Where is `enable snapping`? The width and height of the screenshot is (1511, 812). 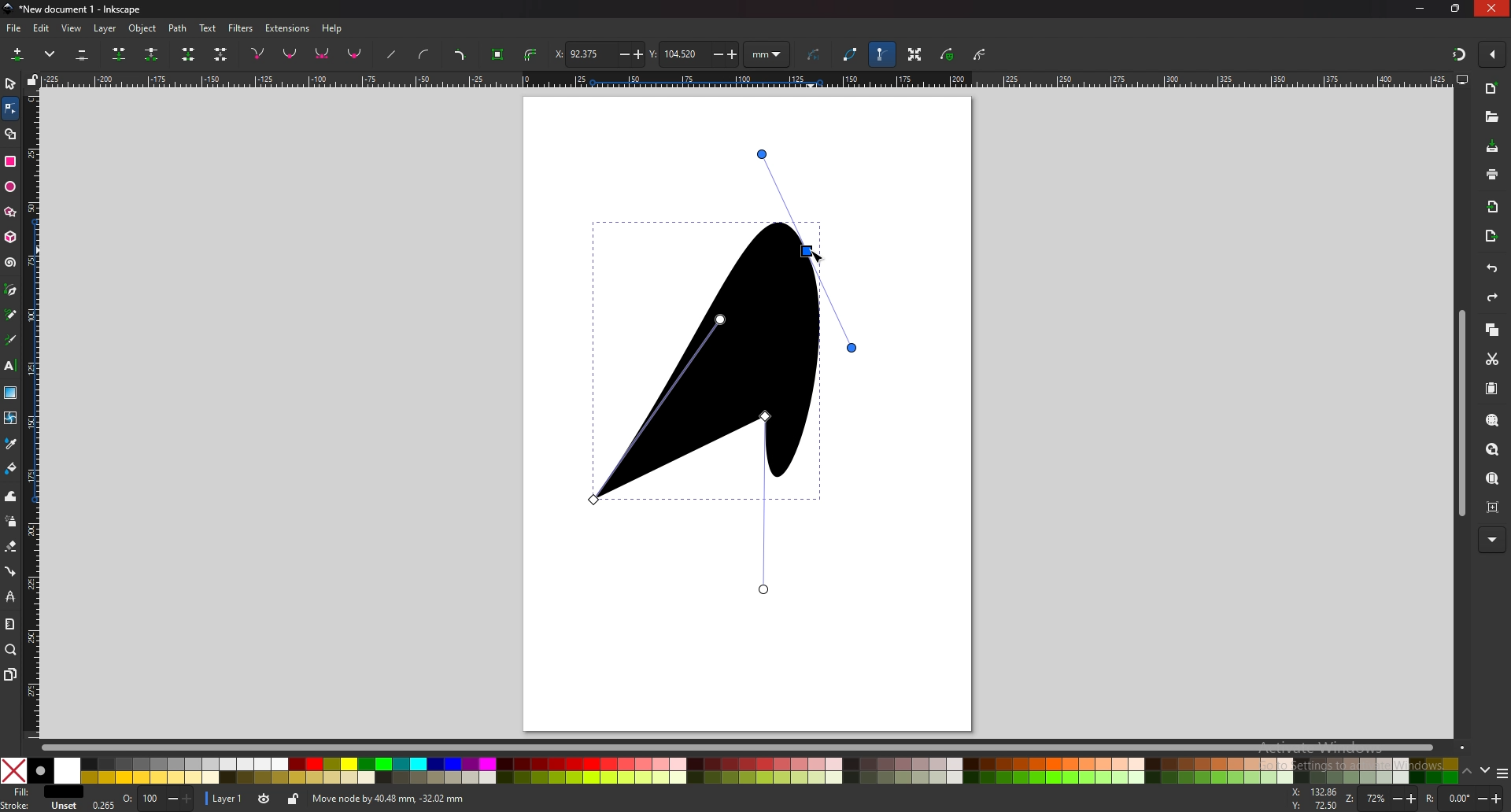 enable snapping is located at coordinates (1492, 53).